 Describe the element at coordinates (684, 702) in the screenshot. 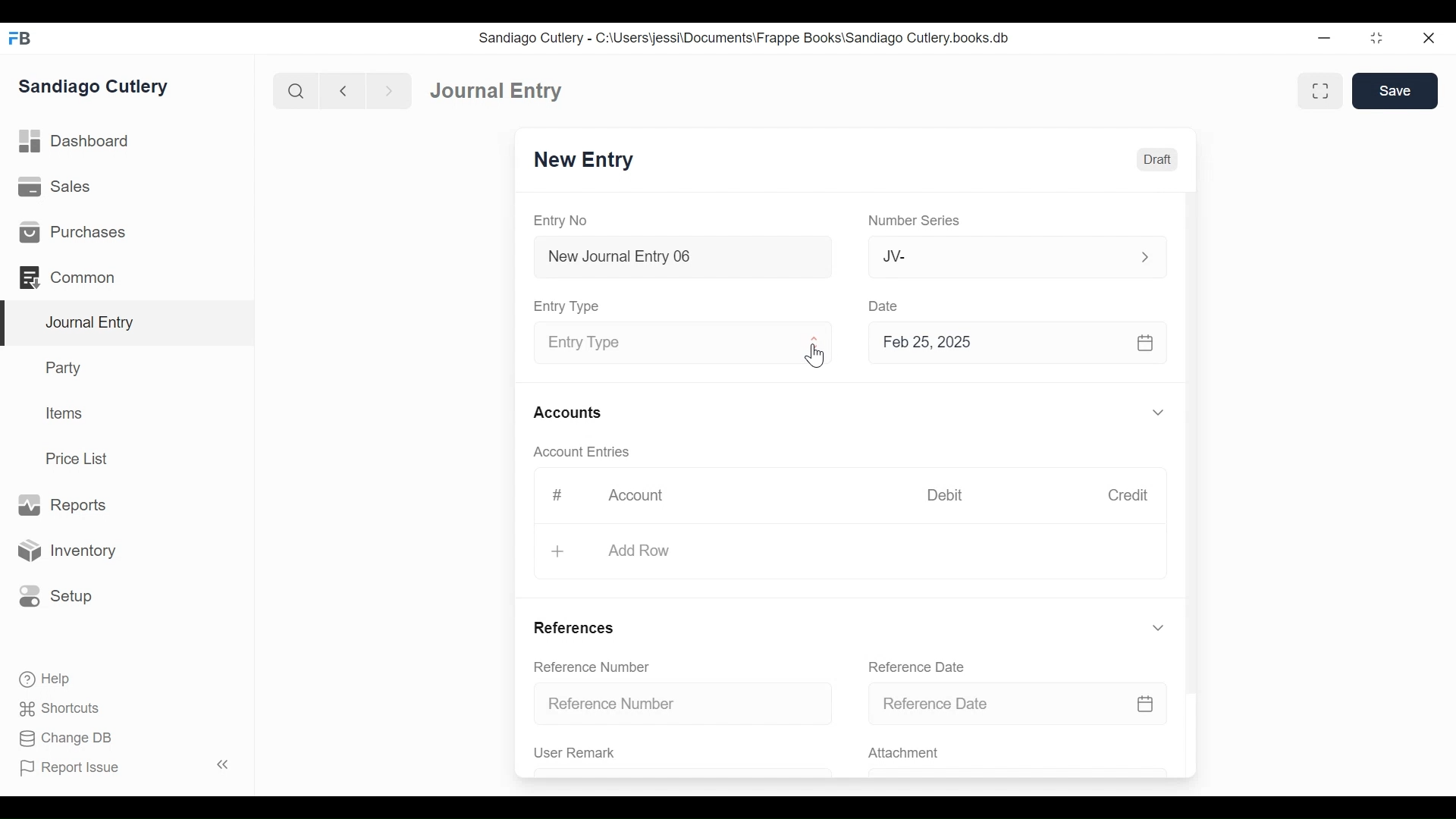

I see `Reference Number` at that location.